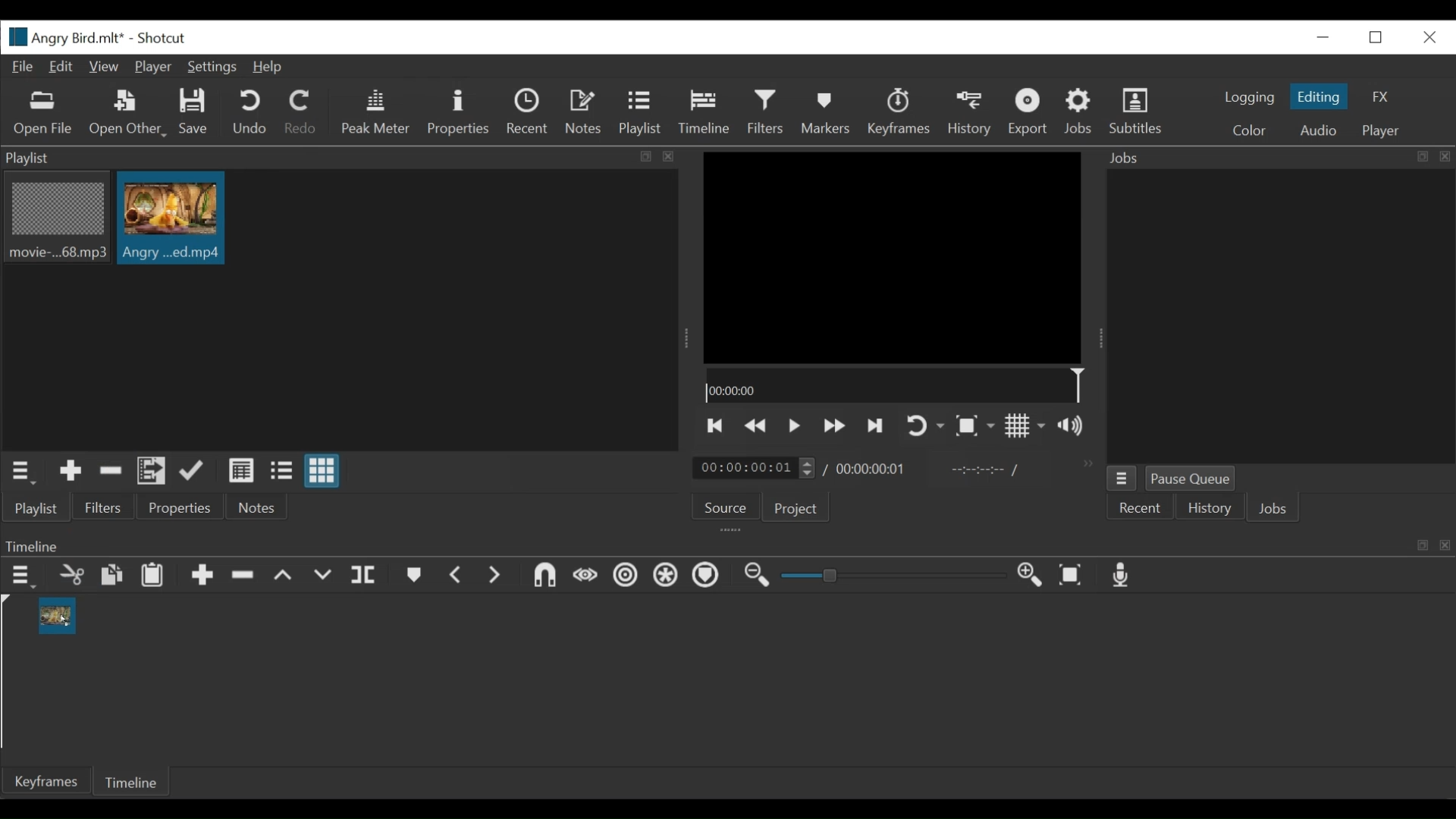 The width and height of the screenshot is (1456, 819). I want to click on Color, so click(1253, 130).